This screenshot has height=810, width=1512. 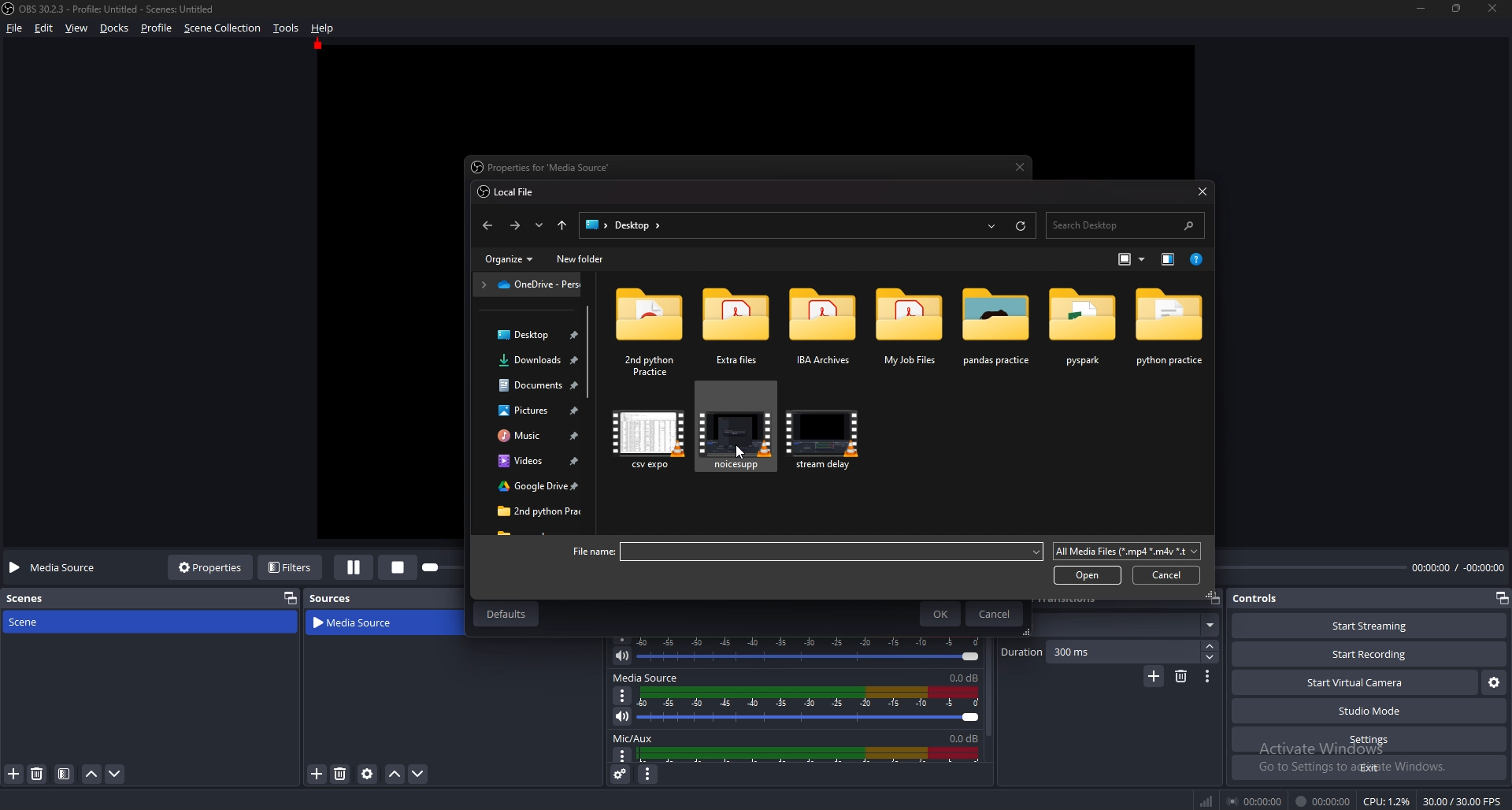 I want to click on folder, so click(x=1170, y=328).